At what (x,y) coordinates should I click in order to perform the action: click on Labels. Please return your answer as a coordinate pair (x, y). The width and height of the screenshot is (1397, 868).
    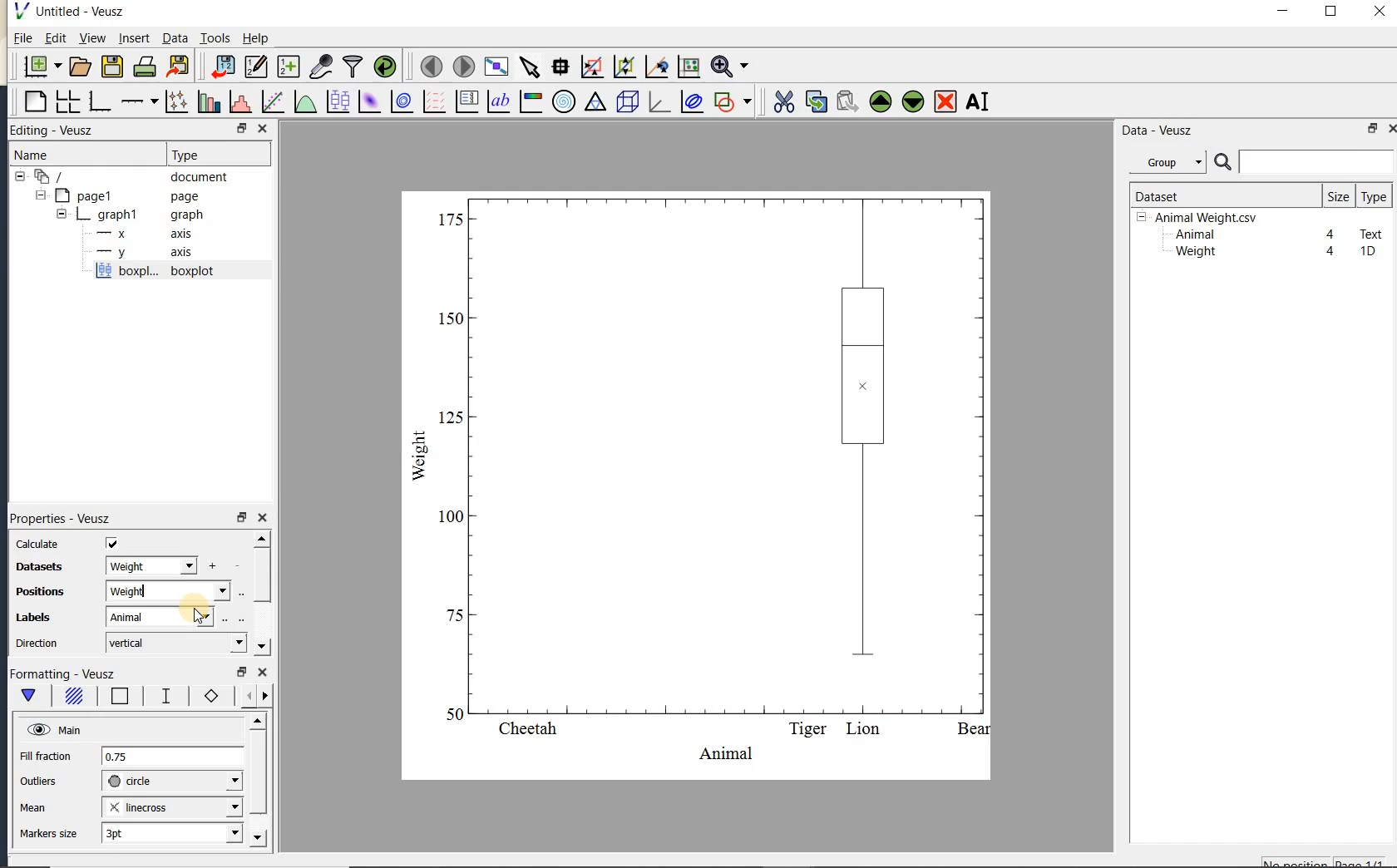
    Looking at the image, I should click on (36, 618).